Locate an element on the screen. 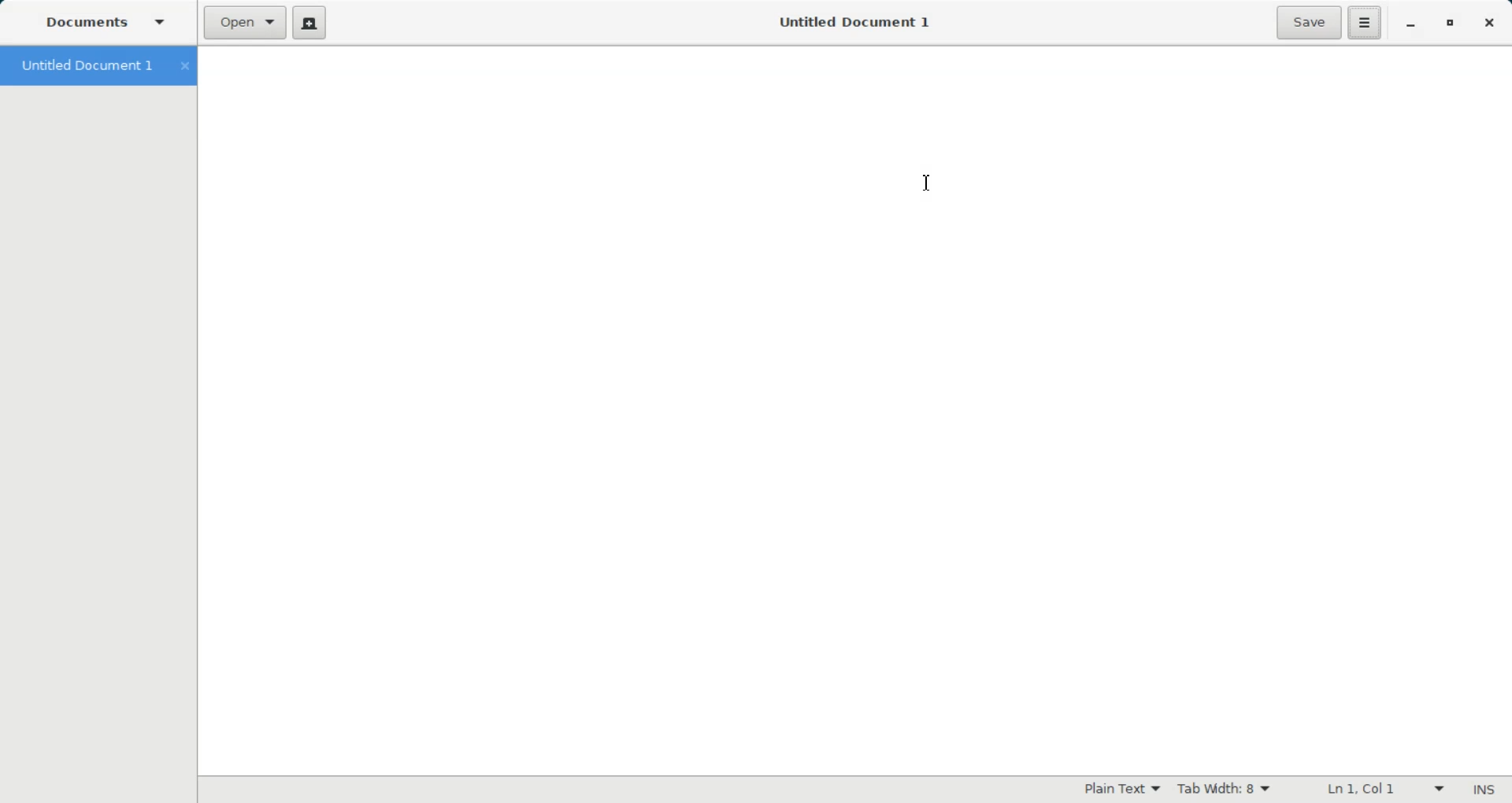  Untitled Document 1  is located at coordinates (96, 66).